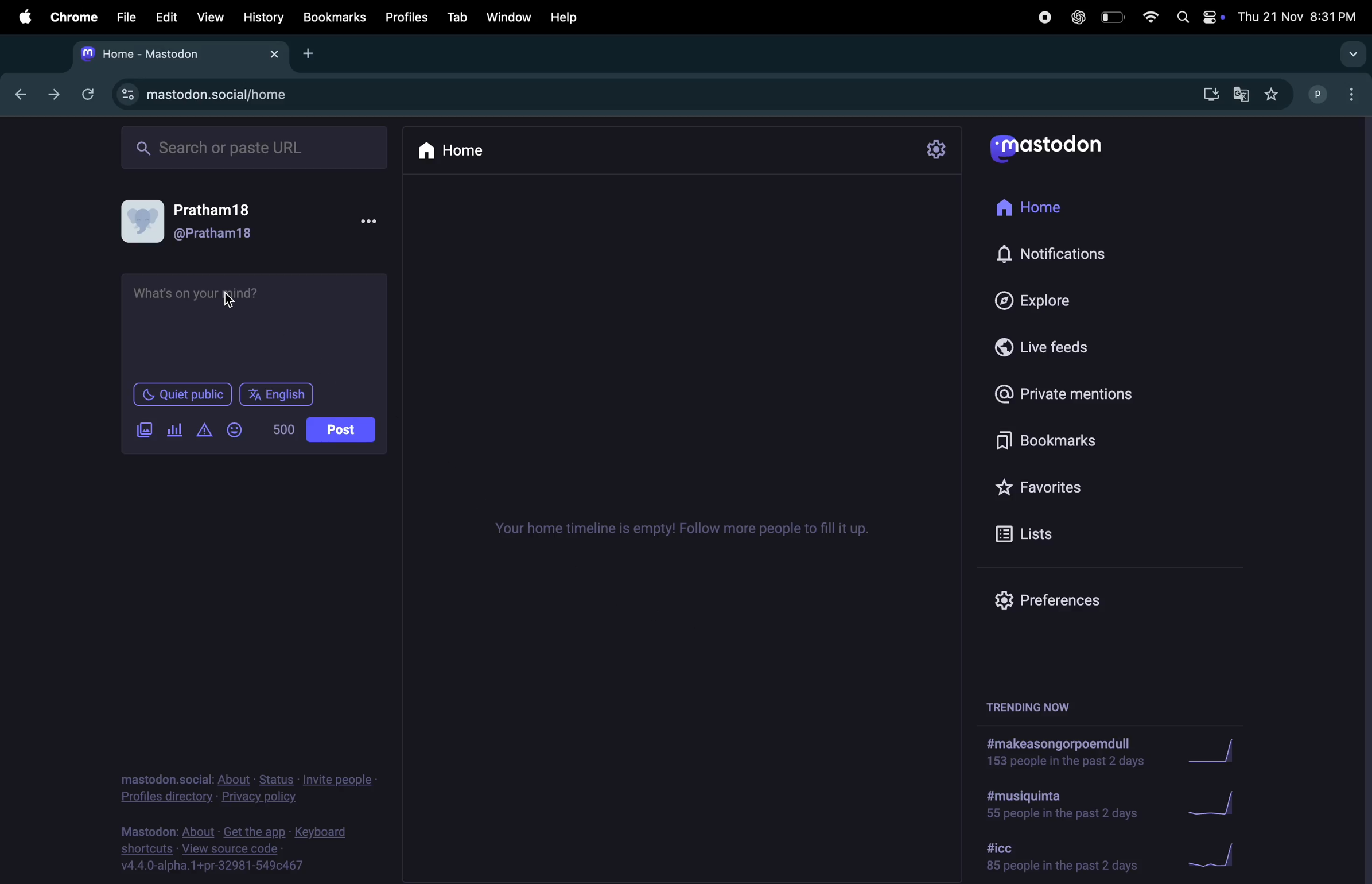 Image resolution: width=1372 pixels, height=884 pixels. What do you see at coordinates (1045, 148) in the screenshot?
I see `mastadon` at bounding box center [1045, 148].